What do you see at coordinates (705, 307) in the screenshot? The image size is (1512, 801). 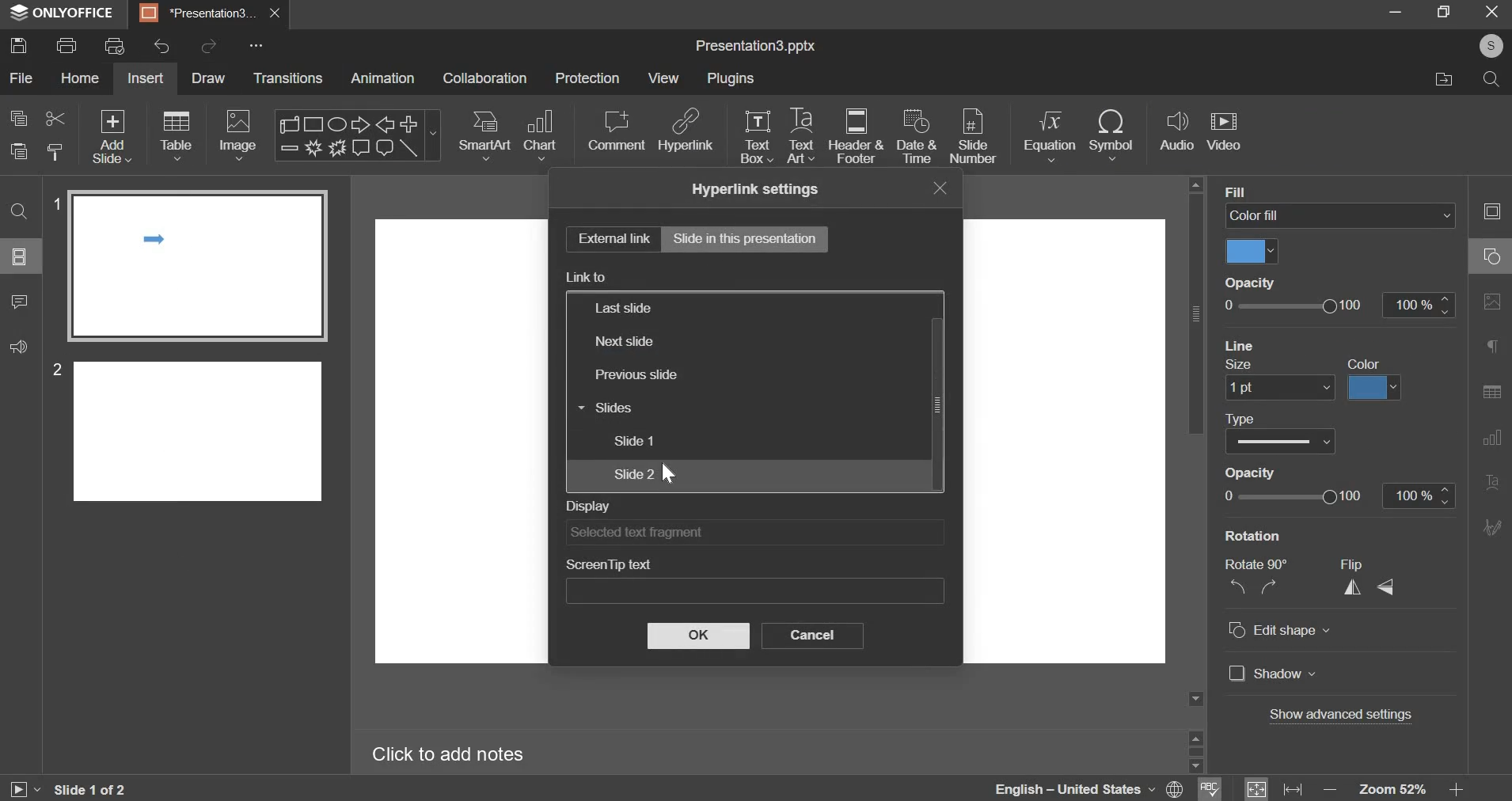 I see `Last slide` at bounding box center [705, 307].